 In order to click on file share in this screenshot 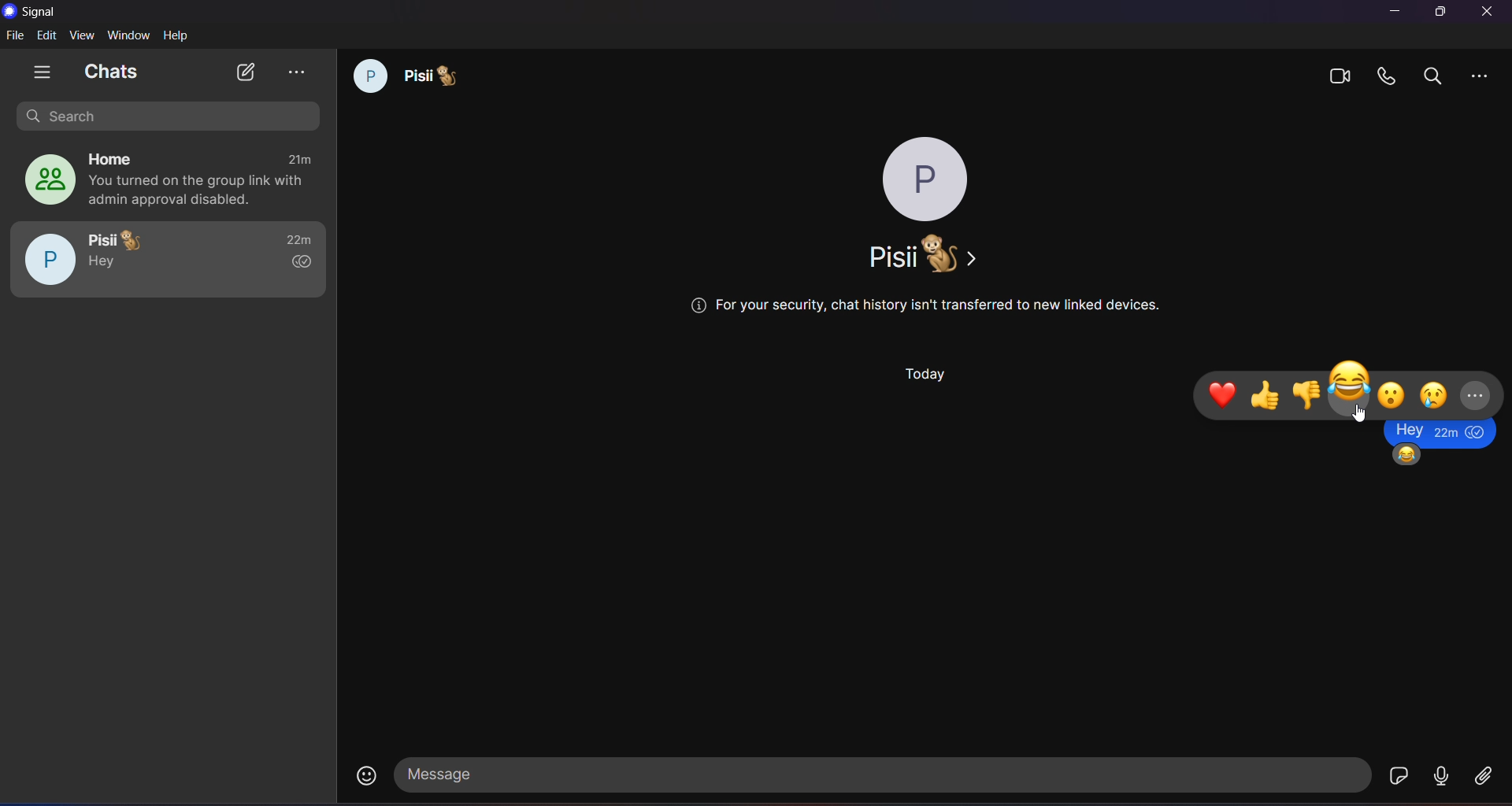, I will do `click(1485, 778)`.